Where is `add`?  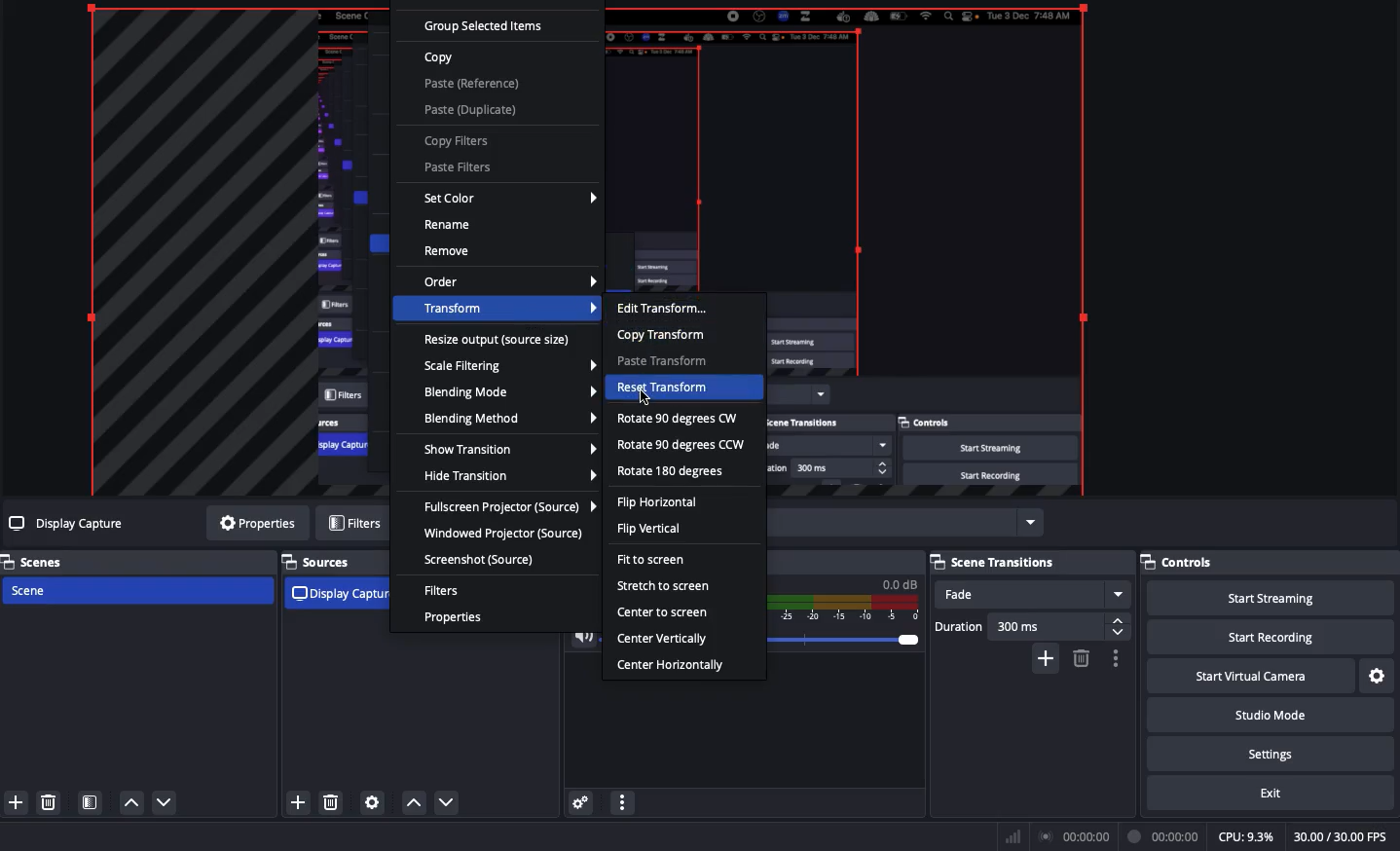
add is located at coordinates (1048, 663).